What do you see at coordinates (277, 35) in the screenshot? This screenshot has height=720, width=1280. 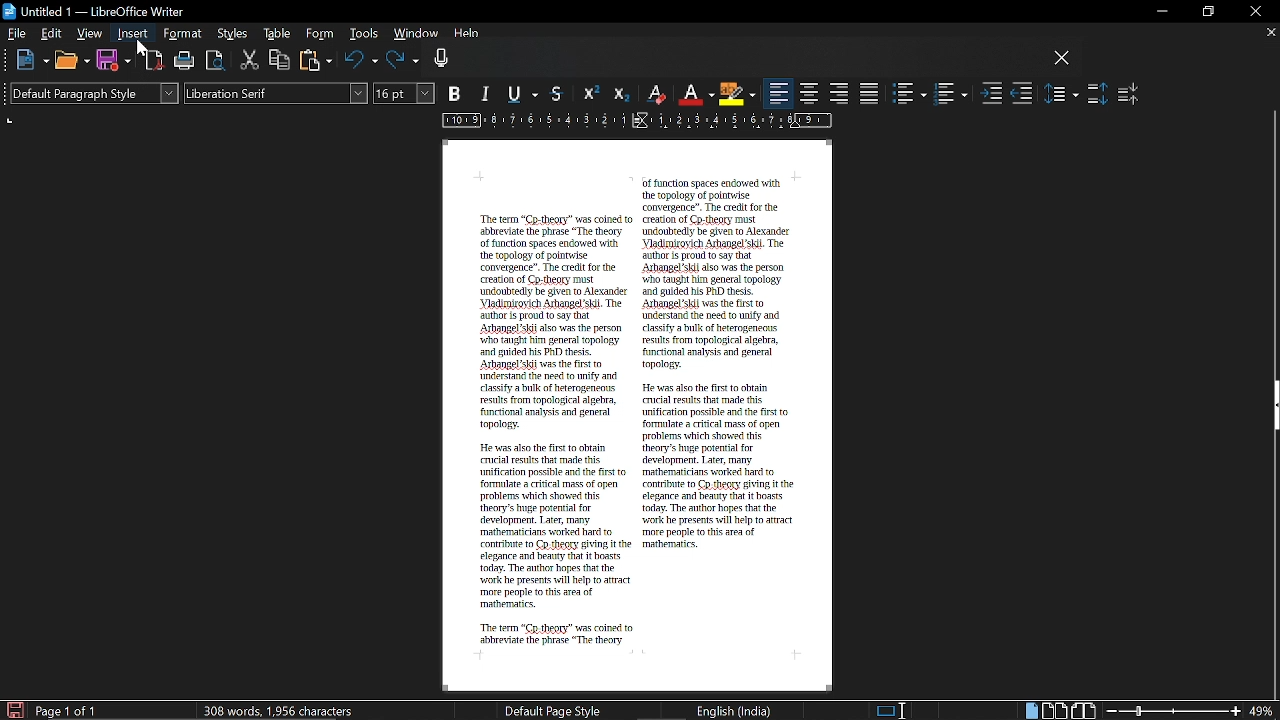 I see `Table` at bounding box center [277, 35].